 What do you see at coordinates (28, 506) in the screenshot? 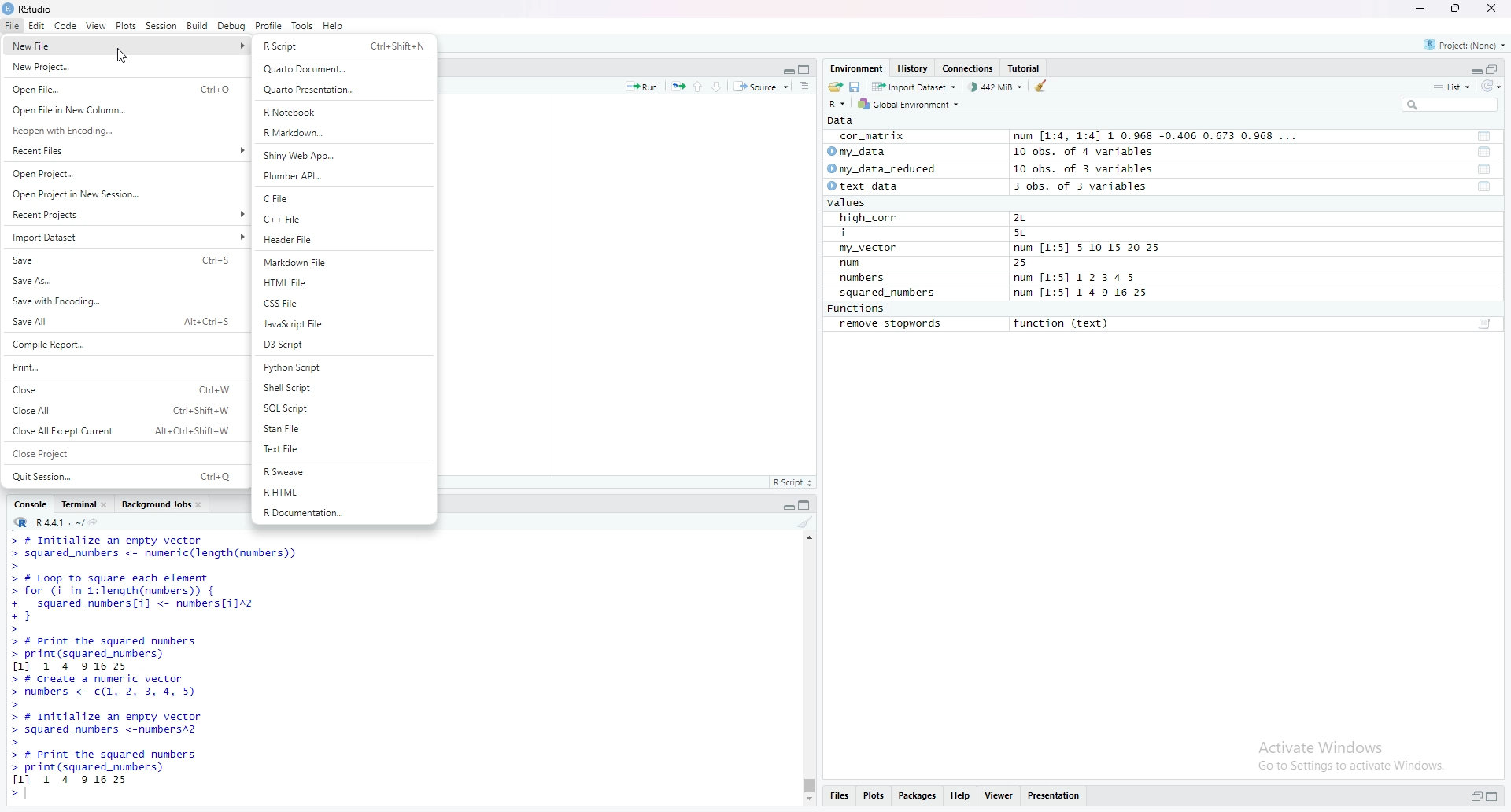
I see `console` at bounding box center [28, 506].